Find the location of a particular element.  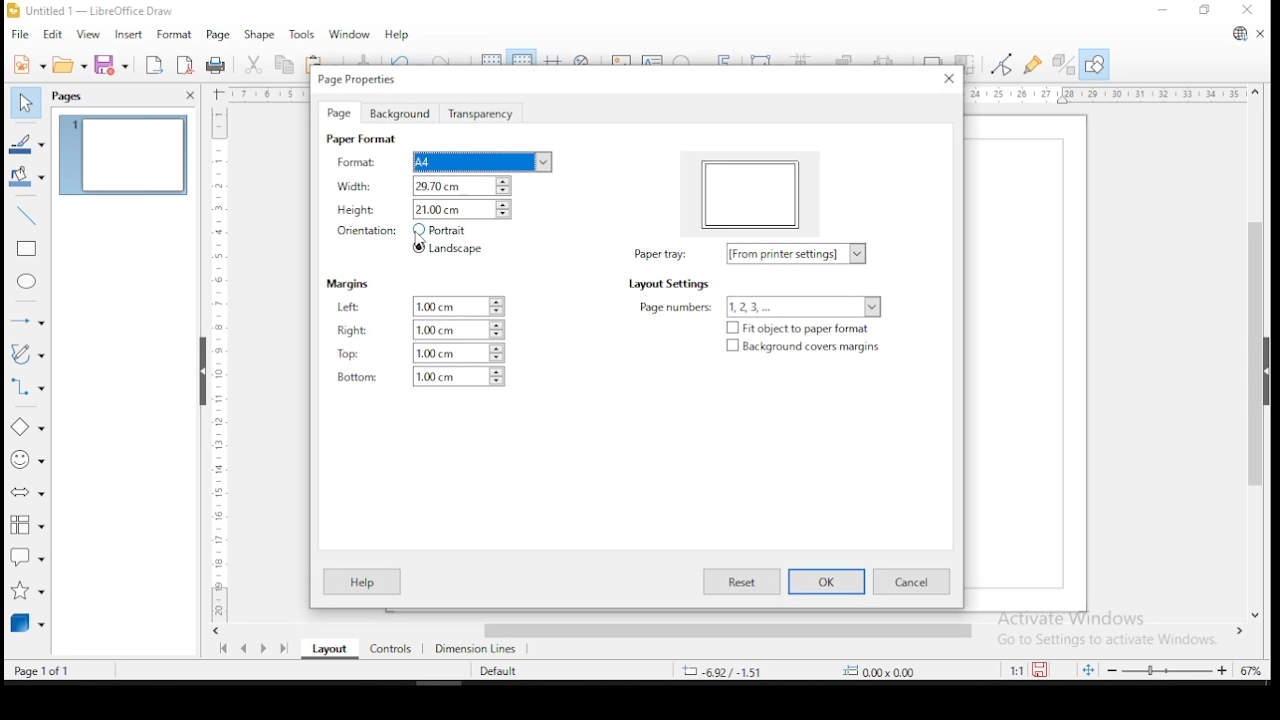

help is located at coordinates (396, 36).